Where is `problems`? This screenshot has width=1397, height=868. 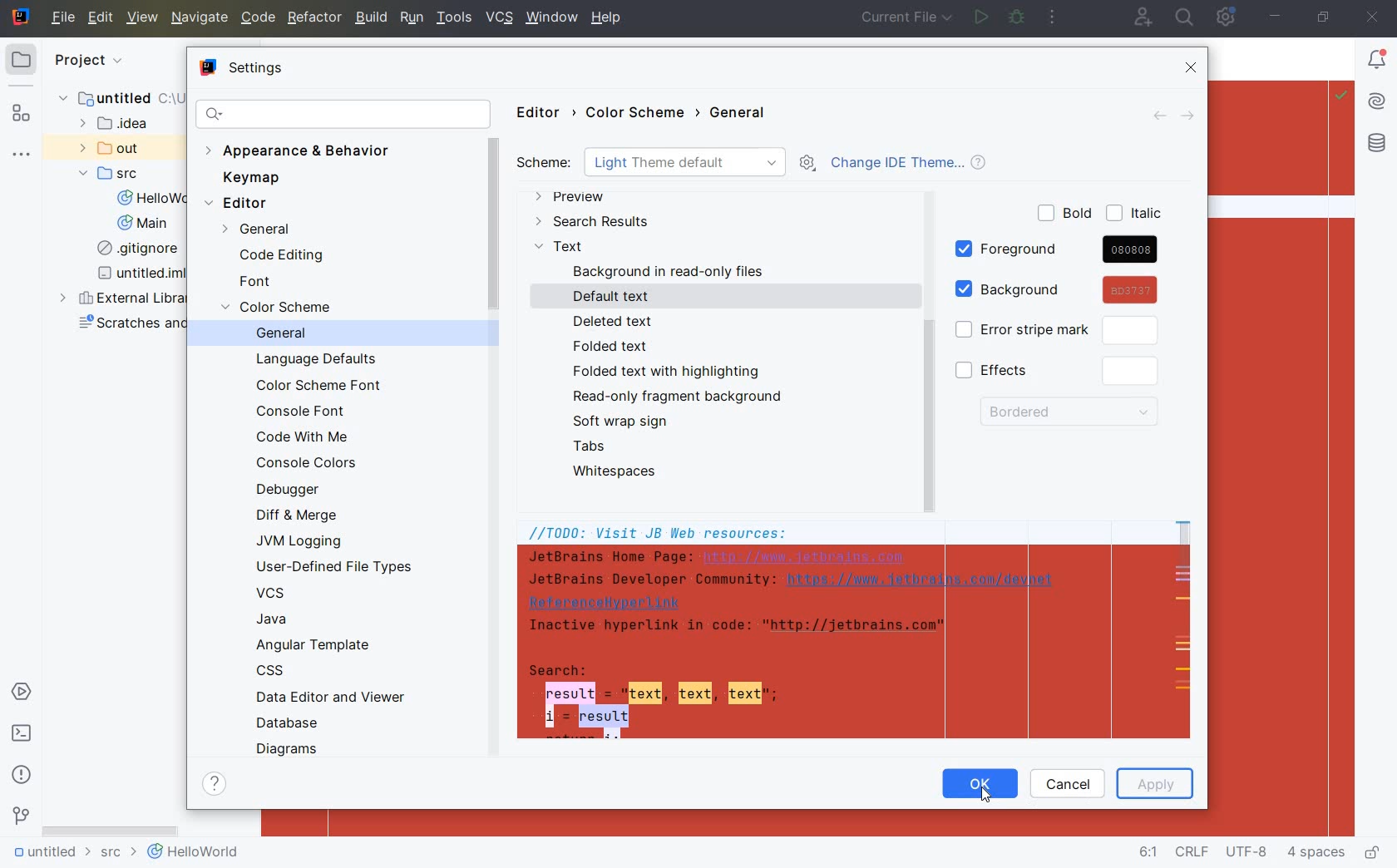
problems is located at coordinates (22, 774).